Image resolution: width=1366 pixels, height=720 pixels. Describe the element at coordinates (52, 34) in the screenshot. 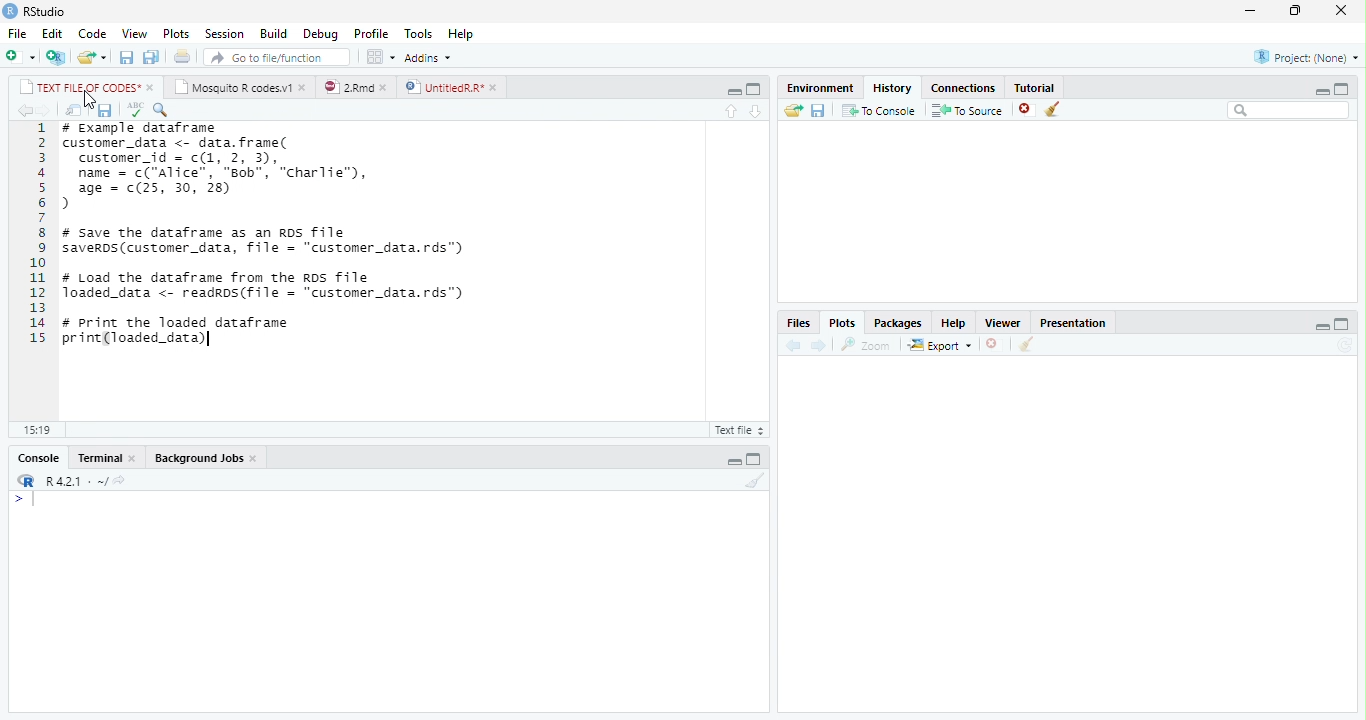

I see `Edit` at that location.